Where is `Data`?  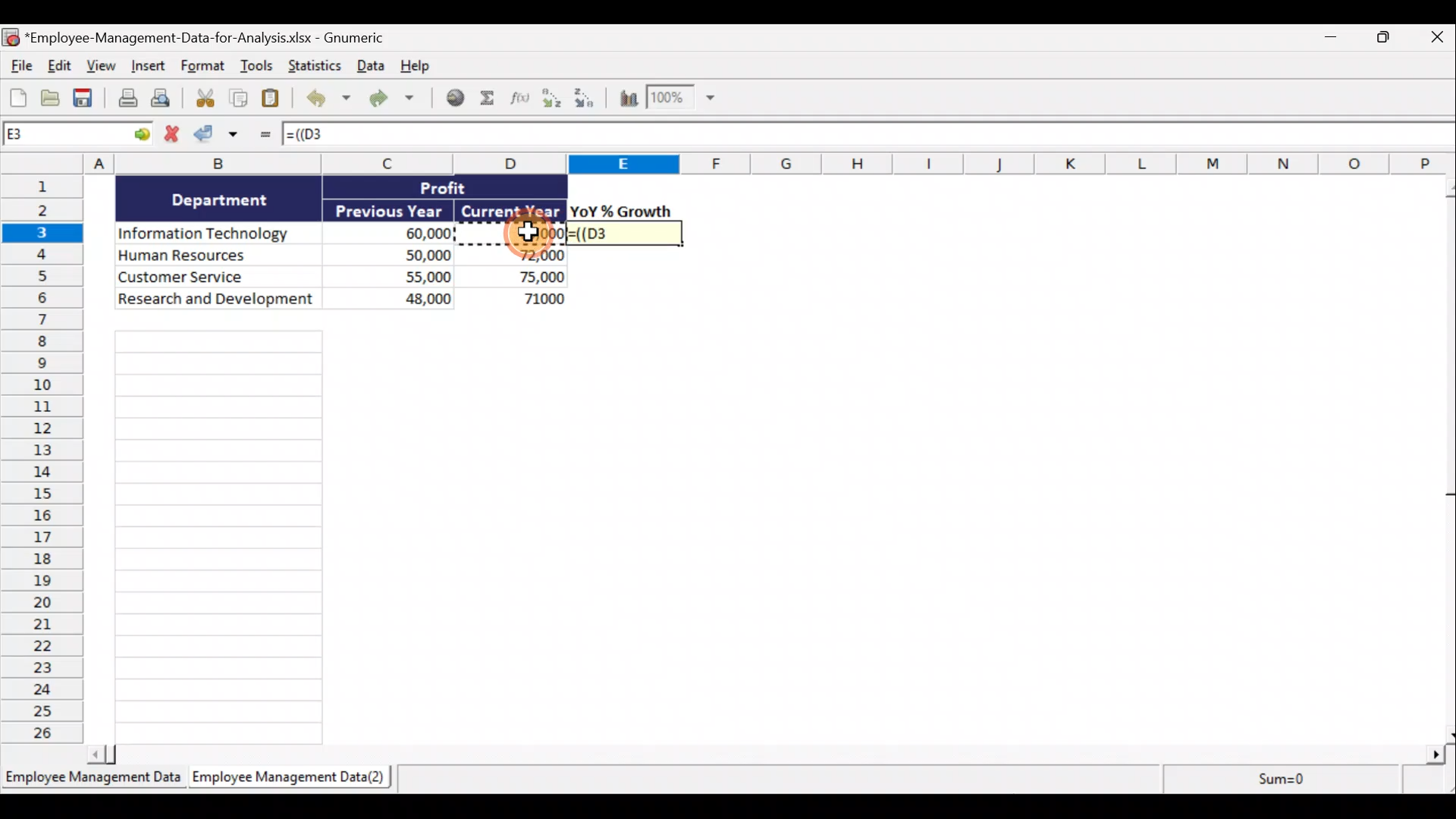
Data is located at coordinates (368, 67).